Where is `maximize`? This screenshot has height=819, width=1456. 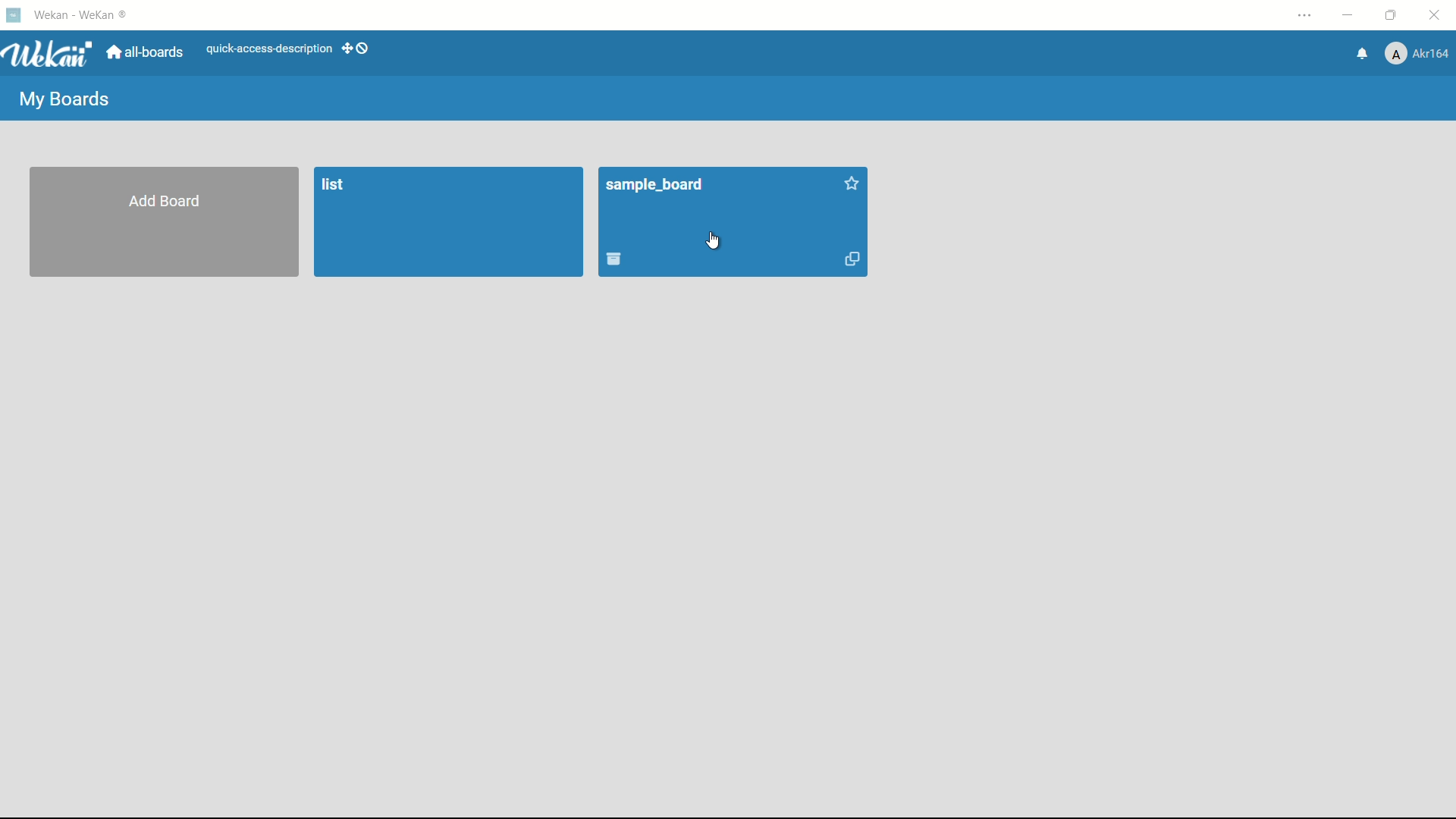 maximize is located at coordinates (1393, 15).